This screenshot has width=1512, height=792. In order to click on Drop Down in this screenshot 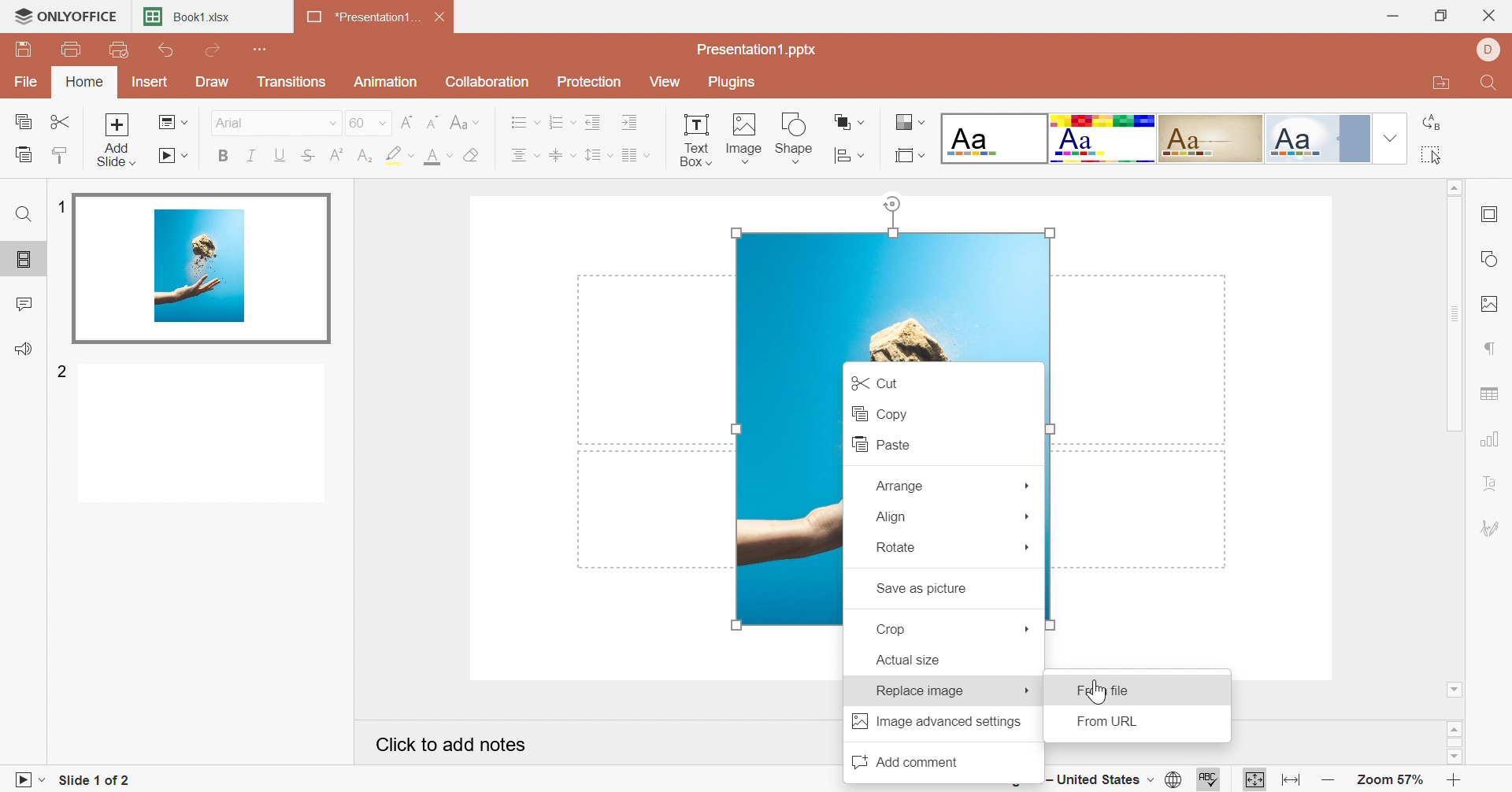, I will do `click(1387, 138)`.